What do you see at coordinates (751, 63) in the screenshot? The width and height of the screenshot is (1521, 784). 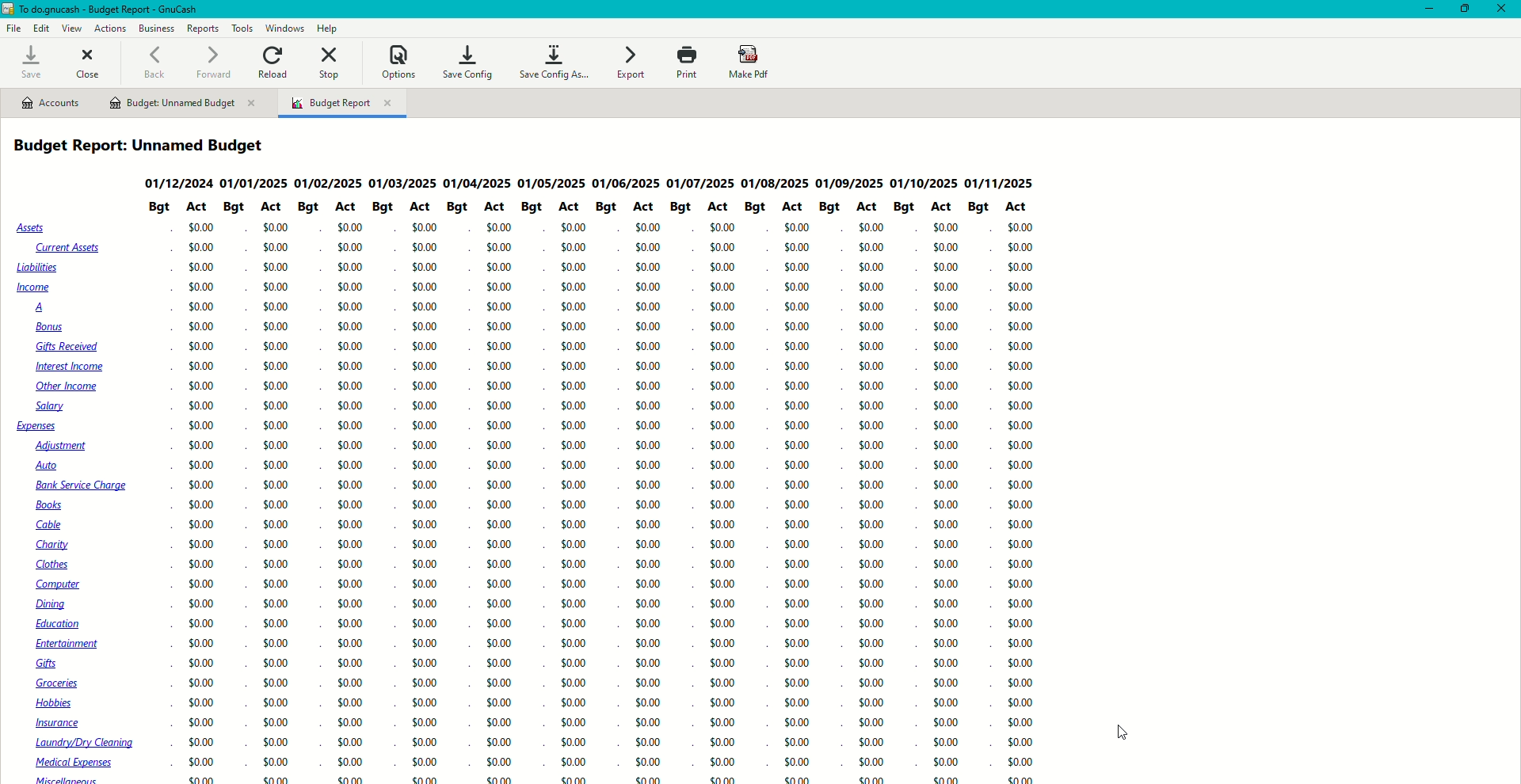 I see `Make PDF` at bounding box center [751, 63].